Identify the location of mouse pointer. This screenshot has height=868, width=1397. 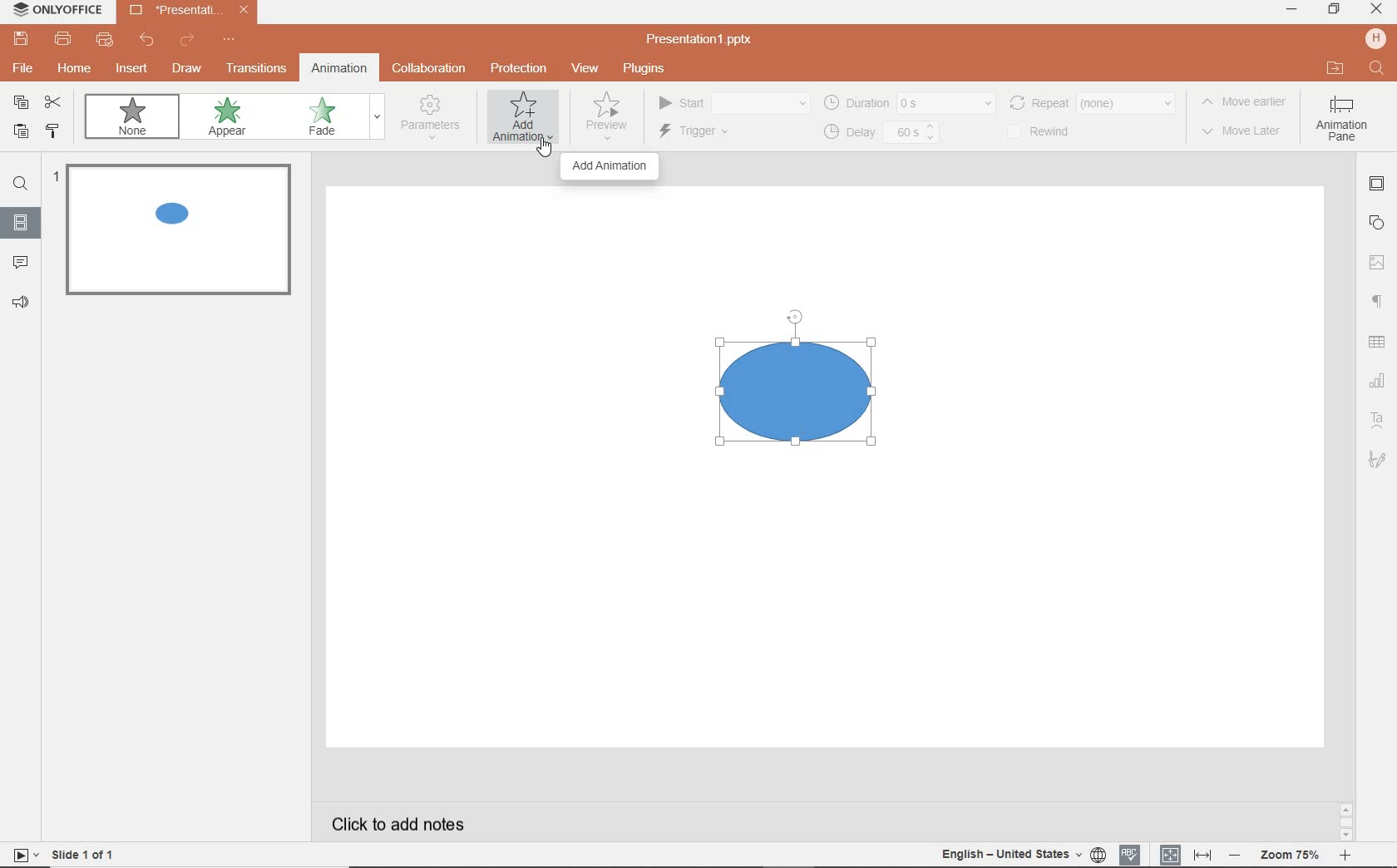
(539, 150).